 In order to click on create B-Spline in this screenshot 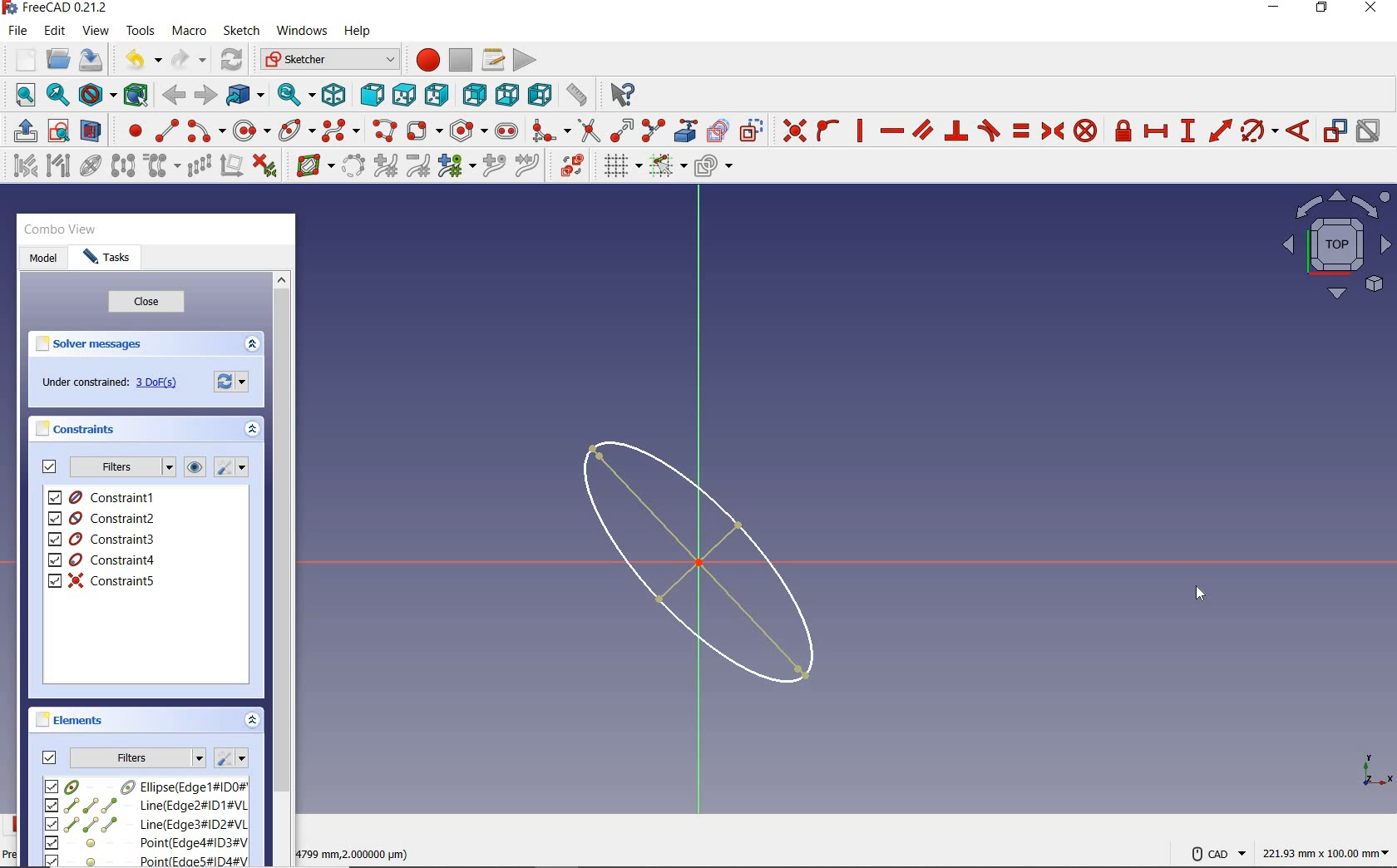, I will do `click(340, 130)`.